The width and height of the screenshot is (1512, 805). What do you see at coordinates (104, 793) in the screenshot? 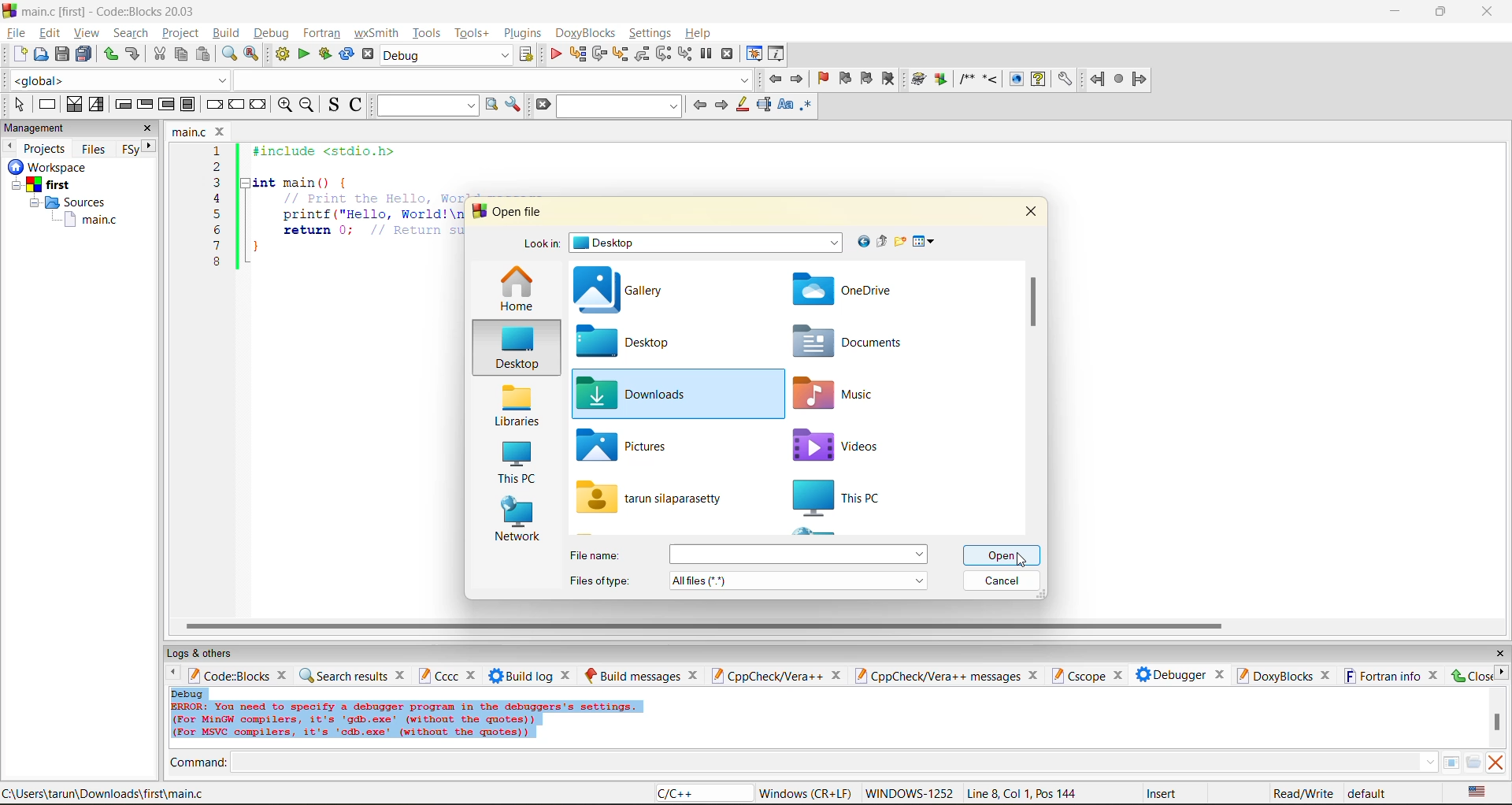
I see `file location` at bounding box center [104, 793].